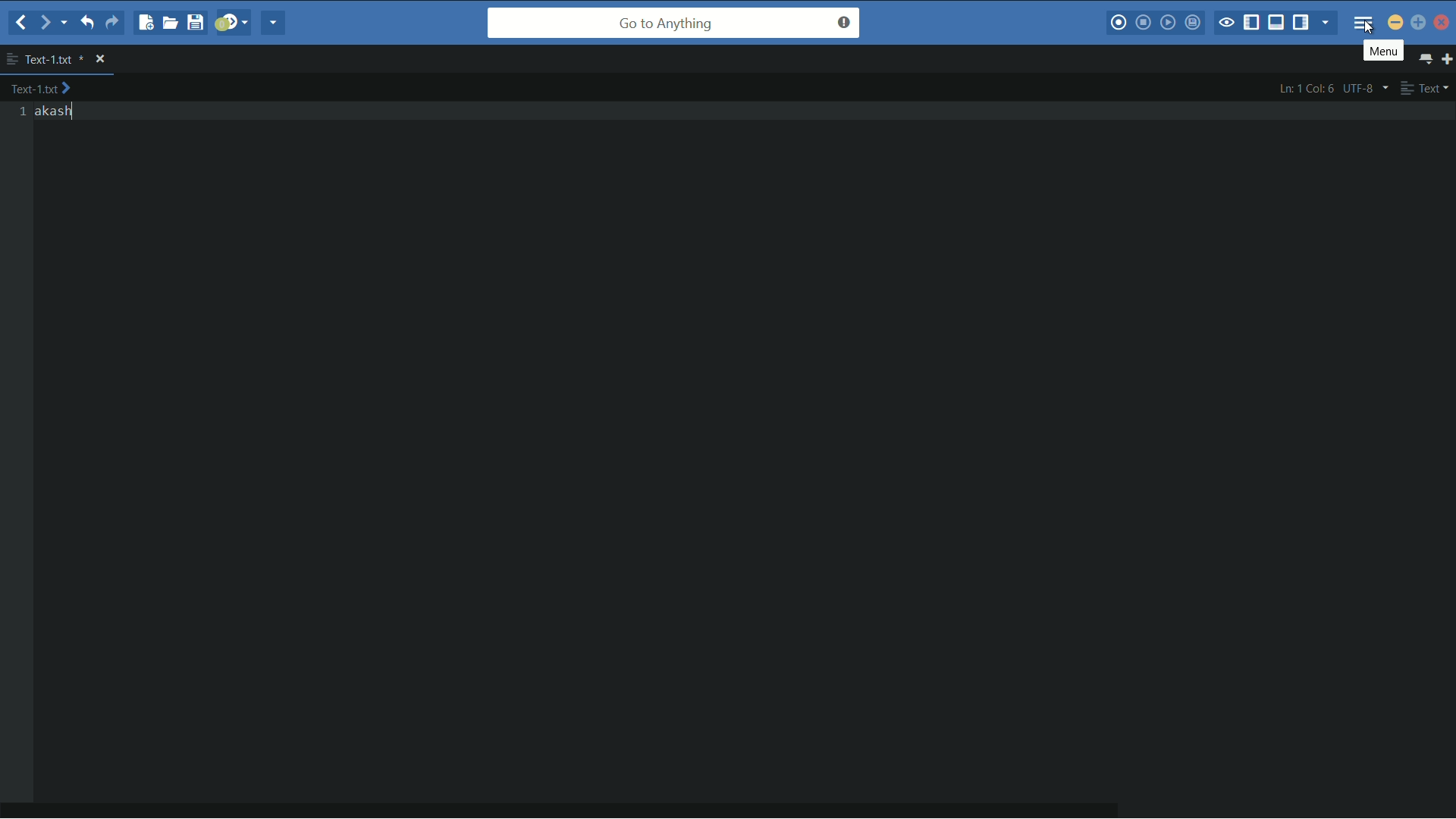 This screenshot has width=1456, height=819. Describe the element at coordinates (1373, 28) in the screenshot. I see `cursor` at that location.